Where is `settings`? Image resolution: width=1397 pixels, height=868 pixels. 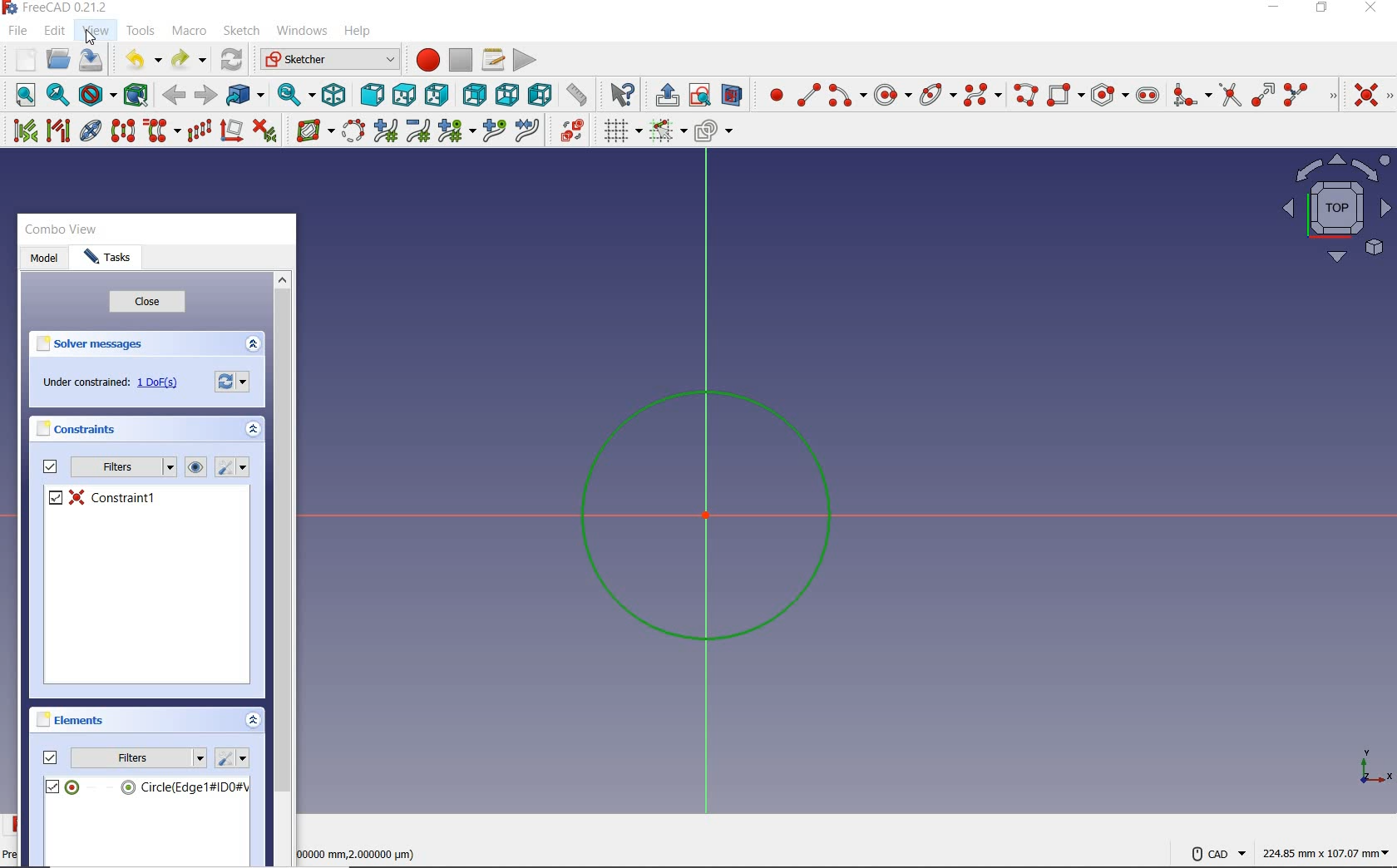
settings is located at coordinates (234, 760).